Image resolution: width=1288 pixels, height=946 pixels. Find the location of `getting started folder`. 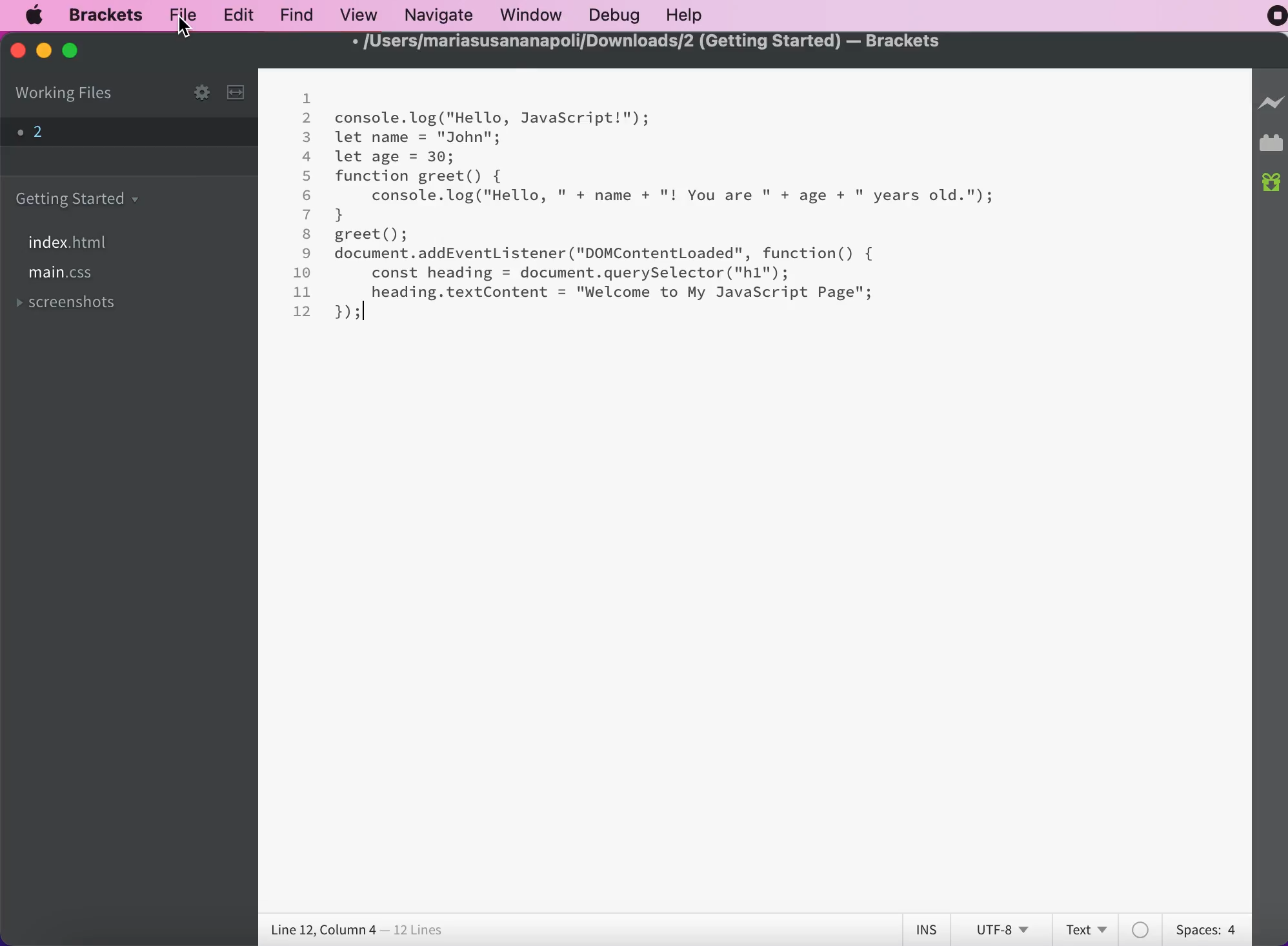

getting started folder is located at coordinates (81, 198).